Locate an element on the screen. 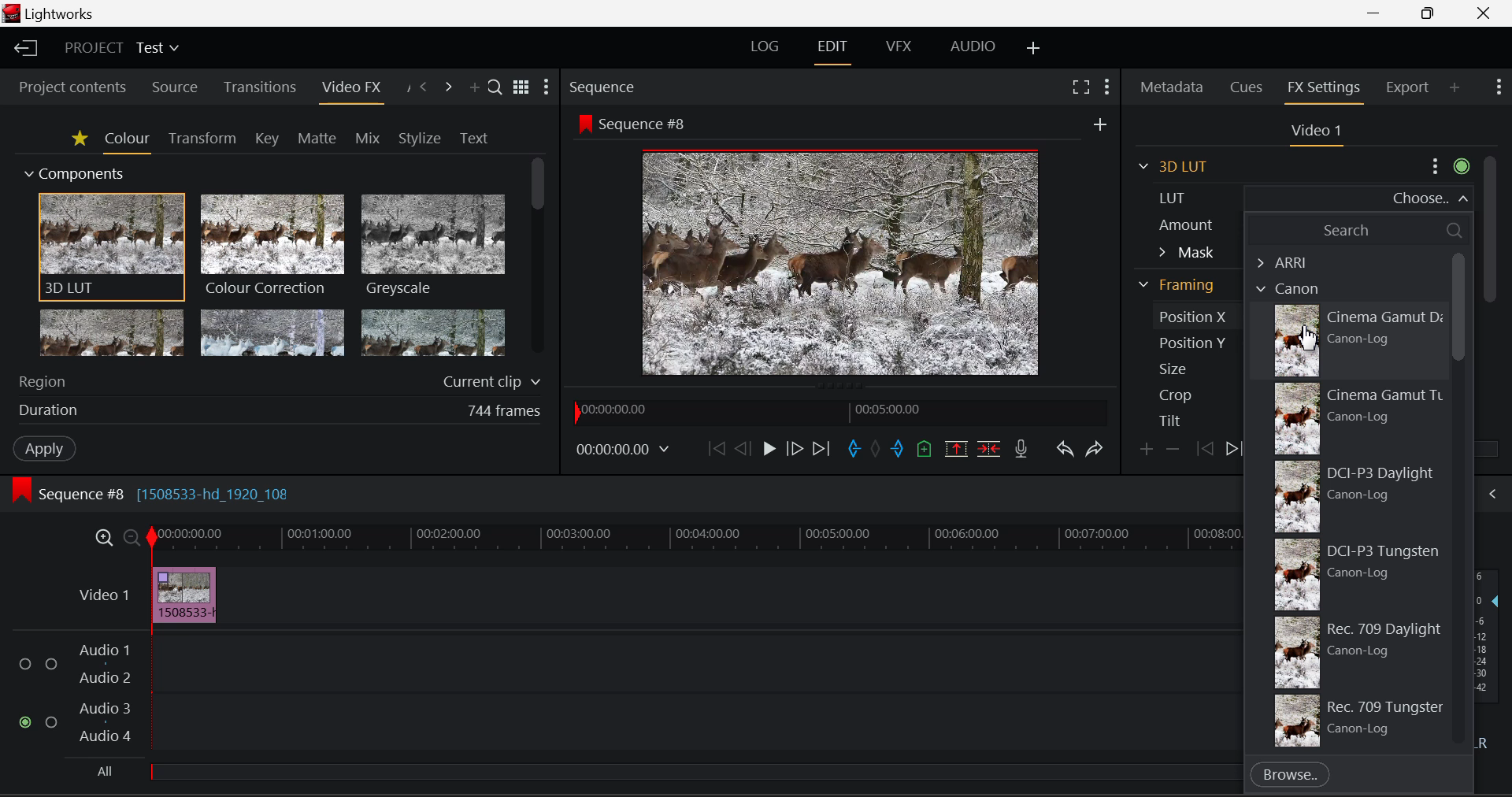 This screenshot has width=1512, height=797. Project contents is located at coordinates (72, 89).